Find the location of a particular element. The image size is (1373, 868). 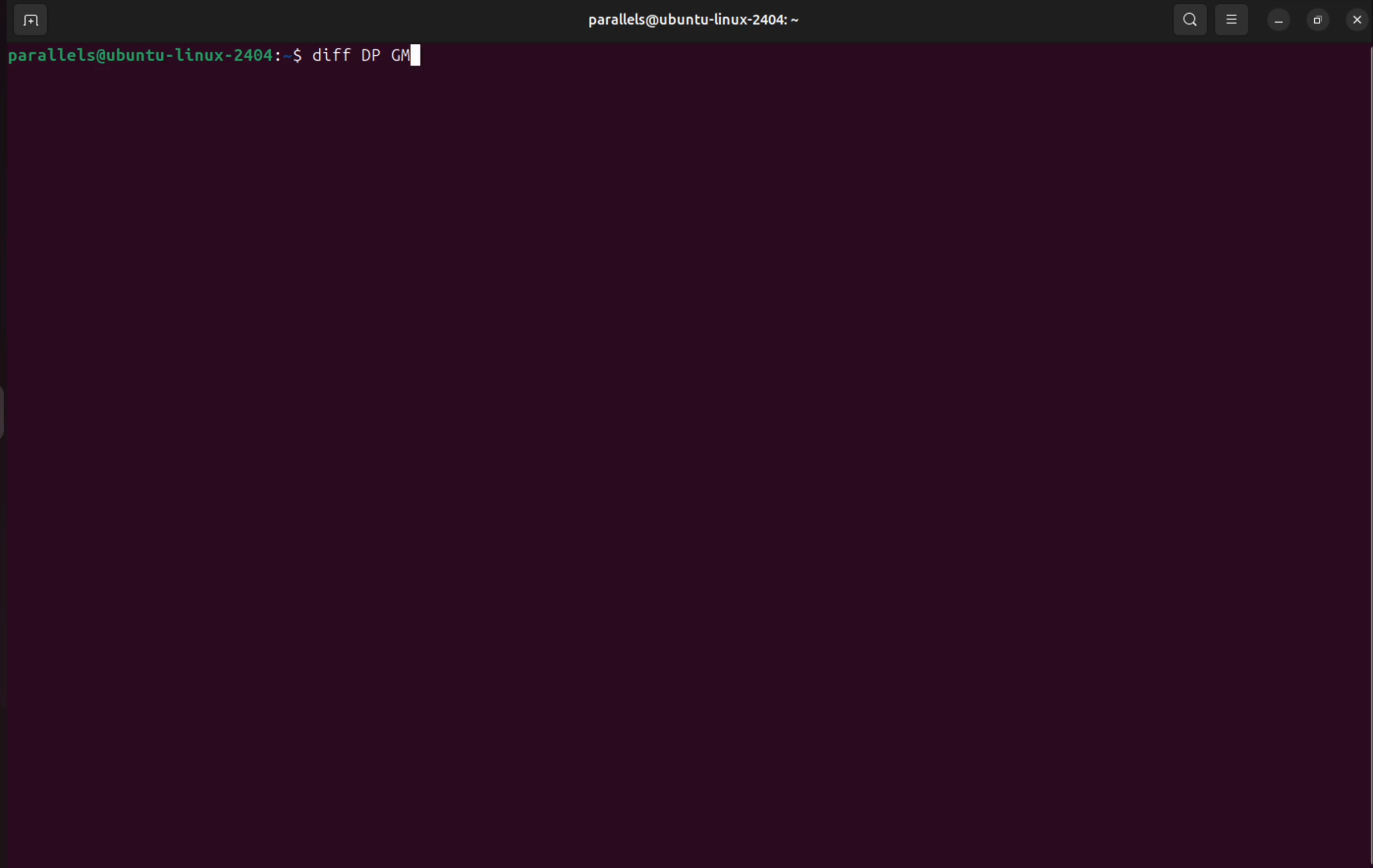

add terminal is located at coordinates (29, 23).